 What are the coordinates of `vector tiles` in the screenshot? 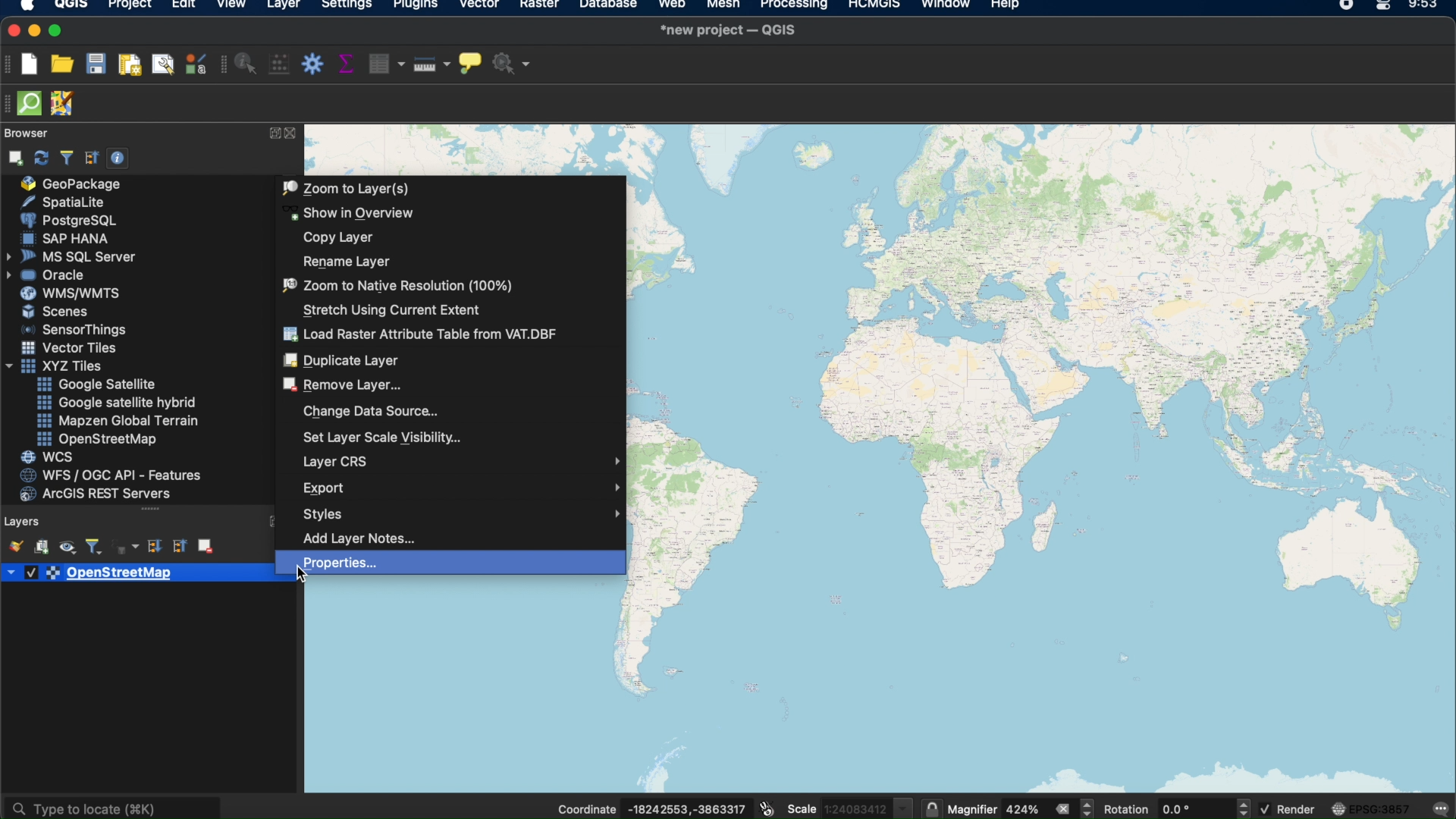 It's located at (69, 346).